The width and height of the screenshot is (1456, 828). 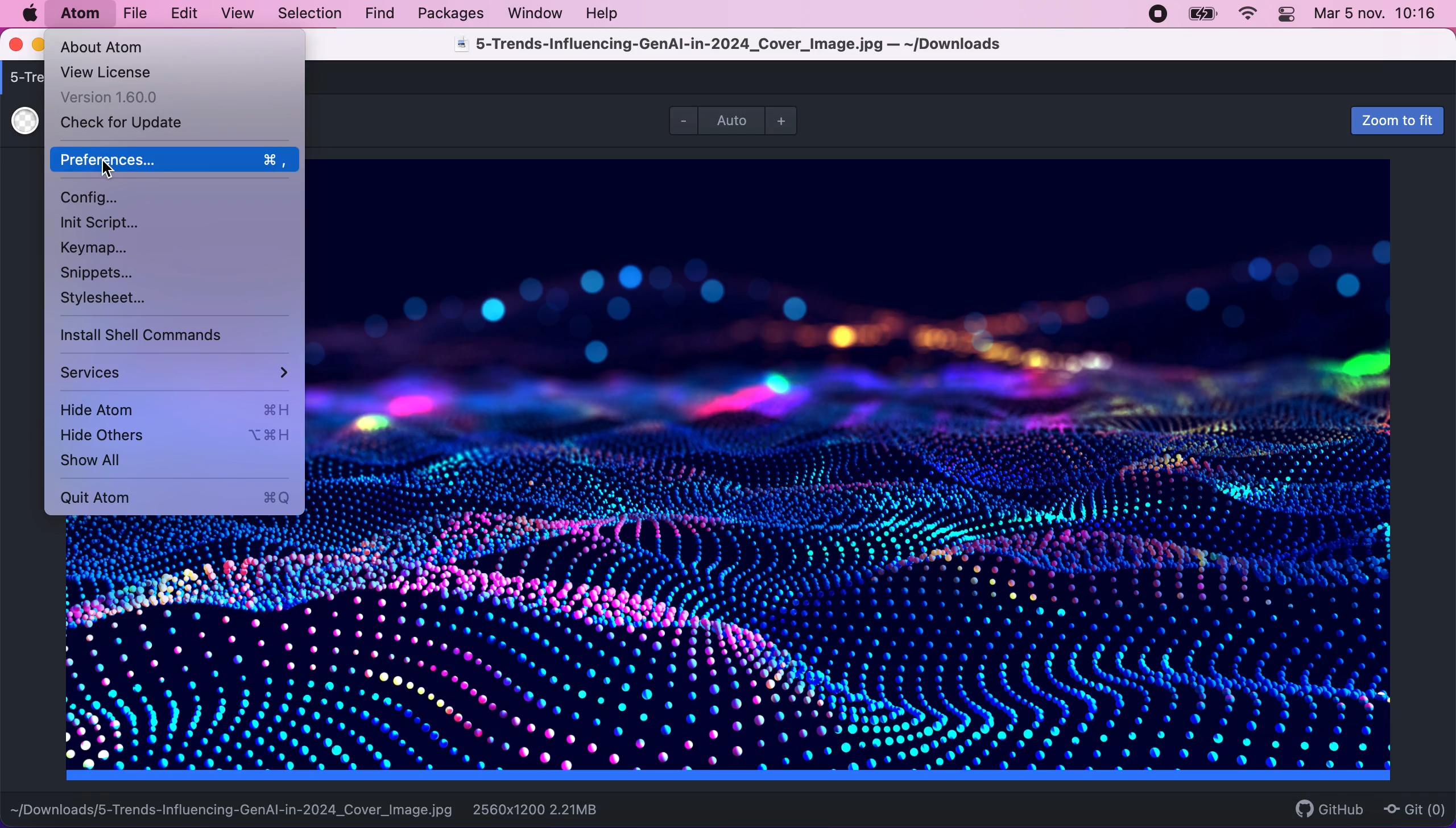 What do you see at coordinates (130, 124) in the screenshot?
I see `check for update` at bounding box center [130, 124].